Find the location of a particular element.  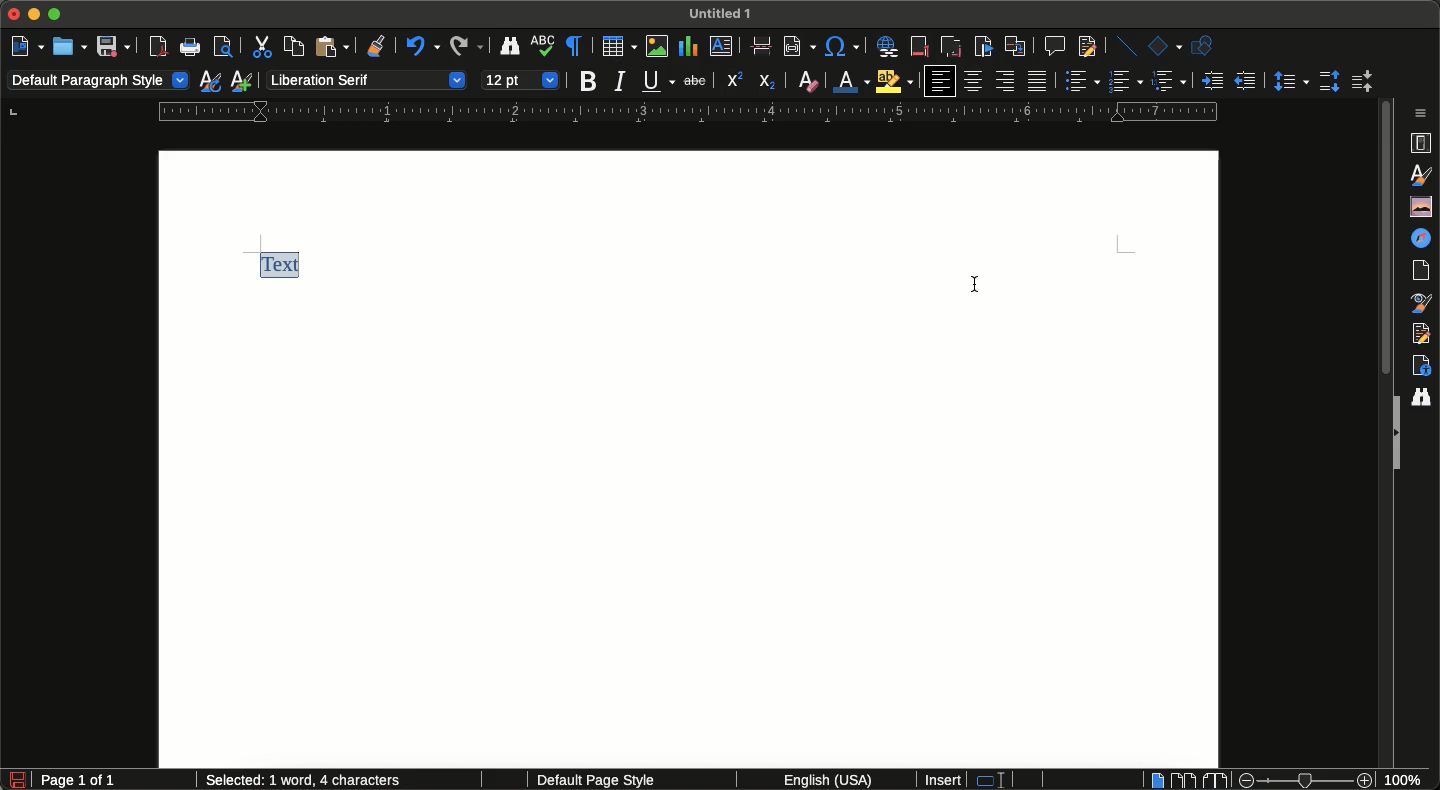

Insert line is located at coordinates (1123, 45).